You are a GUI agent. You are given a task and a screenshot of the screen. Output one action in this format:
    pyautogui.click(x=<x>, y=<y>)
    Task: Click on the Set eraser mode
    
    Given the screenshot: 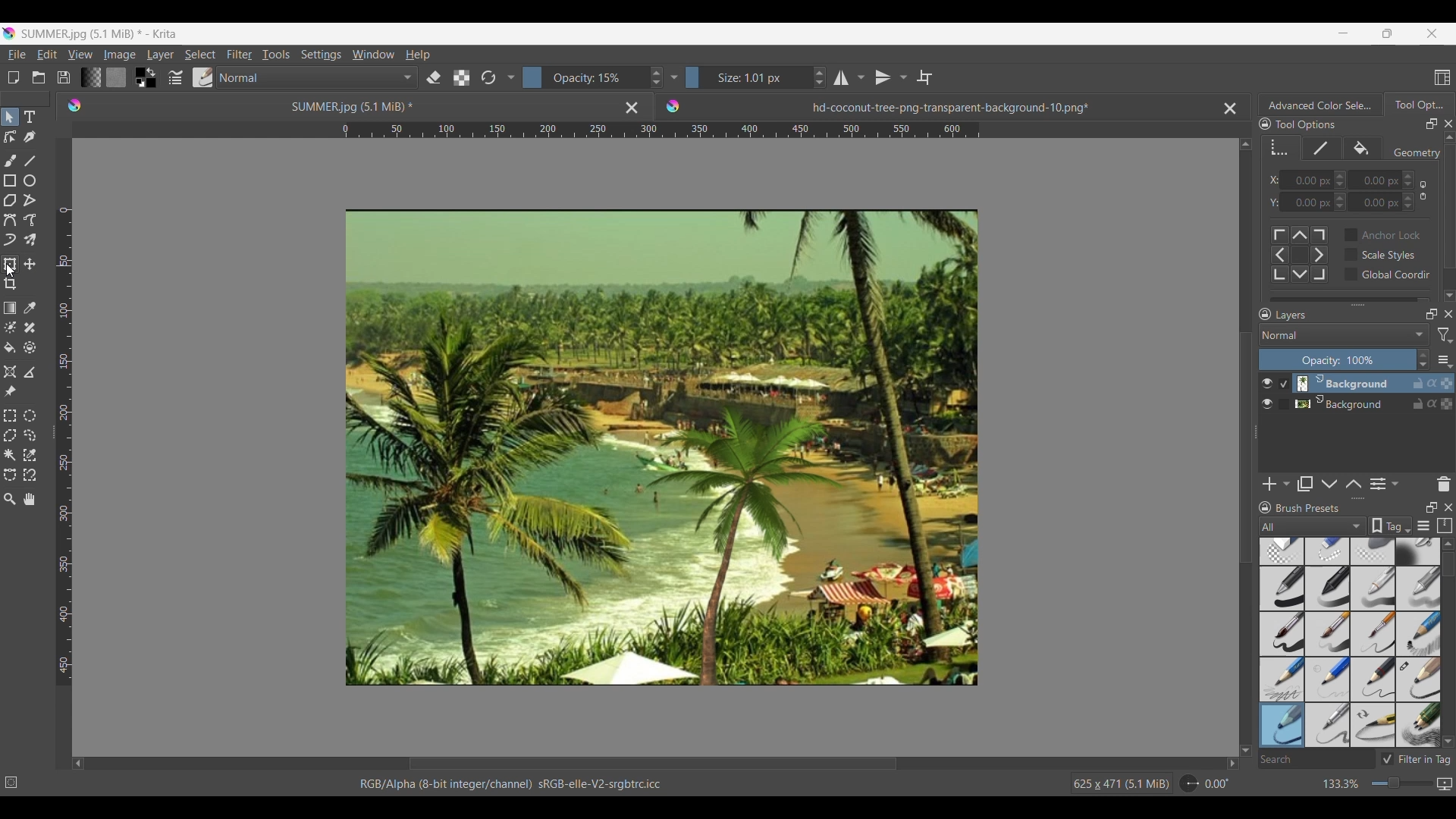 What is the action you would take?
    pyautogui.click(x=432, y=77)
    